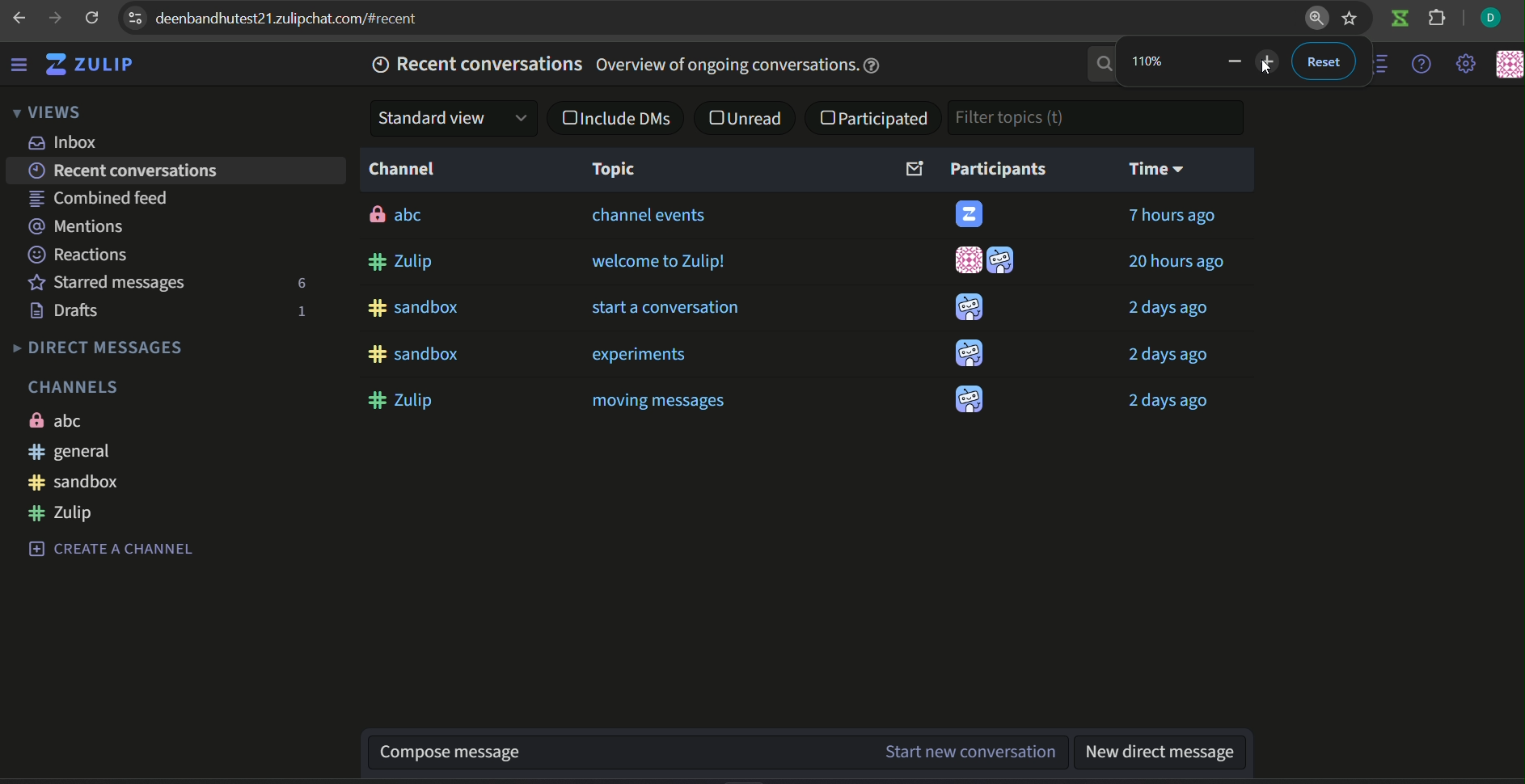  Describe the element at coordinates (108, 285) in the screenshot. I see `starred messages` at that location.